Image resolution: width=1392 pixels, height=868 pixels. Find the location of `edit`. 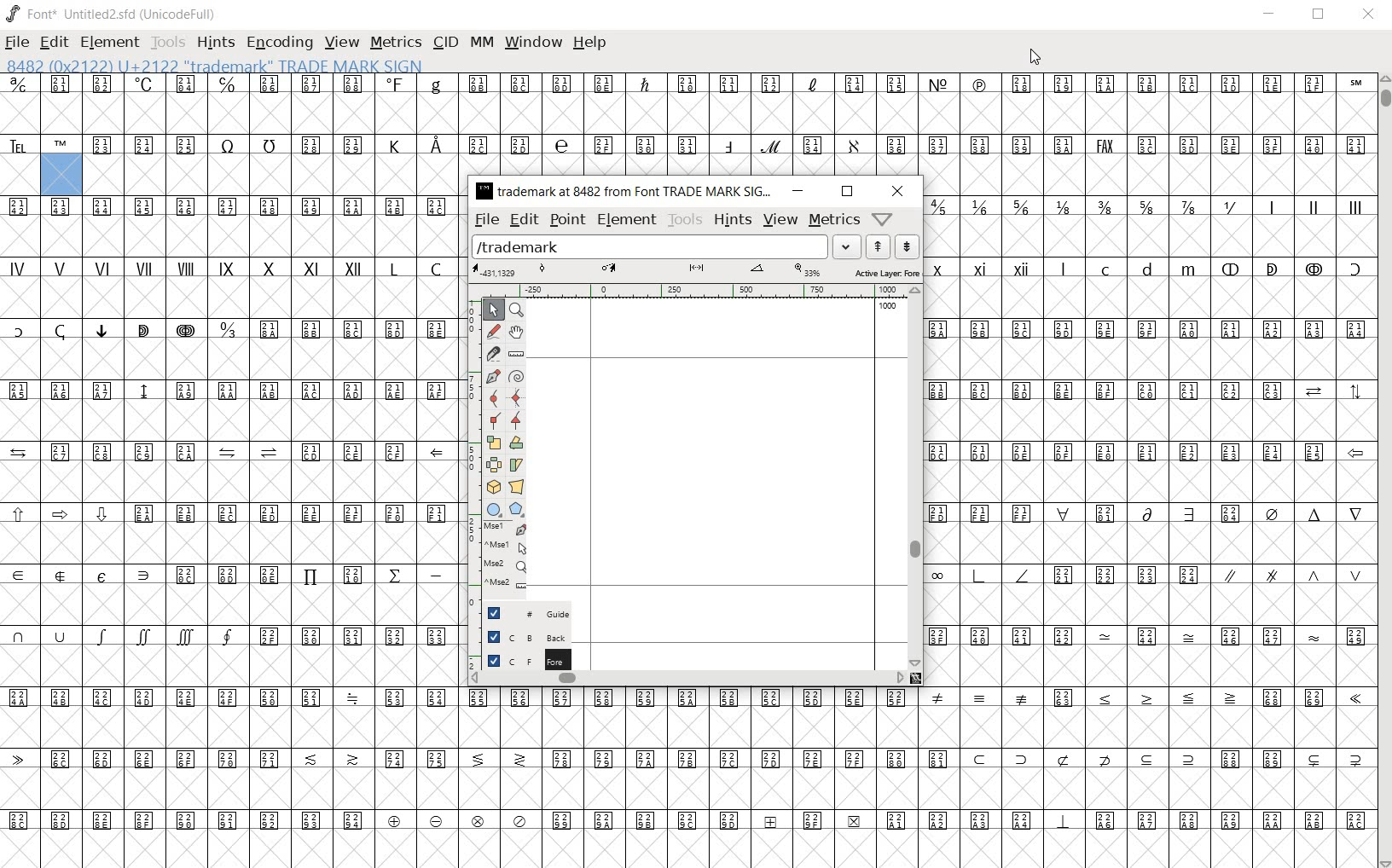

edit is located at coordinates (525, 220).